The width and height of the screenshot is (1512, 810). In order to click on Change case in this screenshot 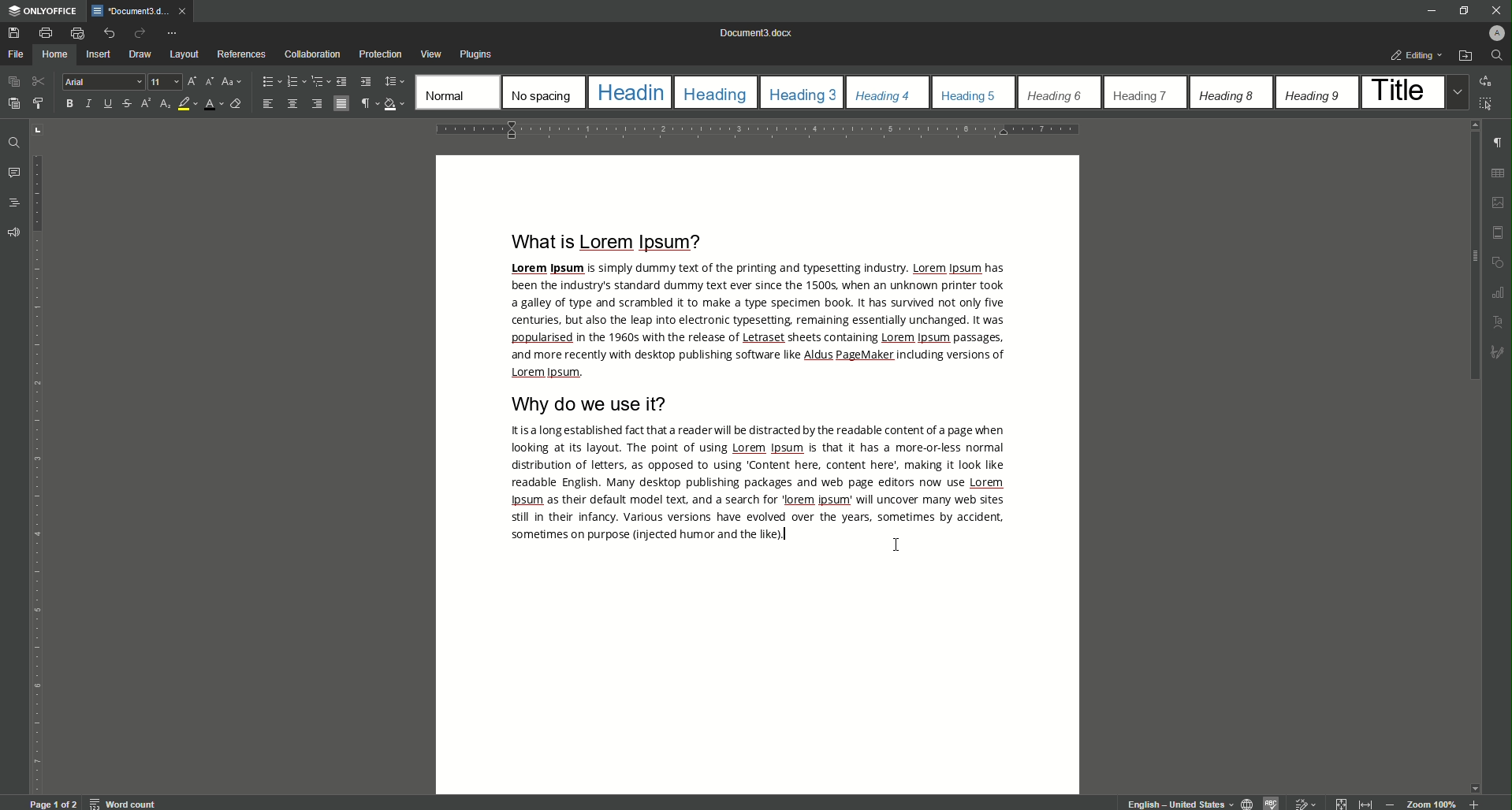, I will do `click(233, 82)`.